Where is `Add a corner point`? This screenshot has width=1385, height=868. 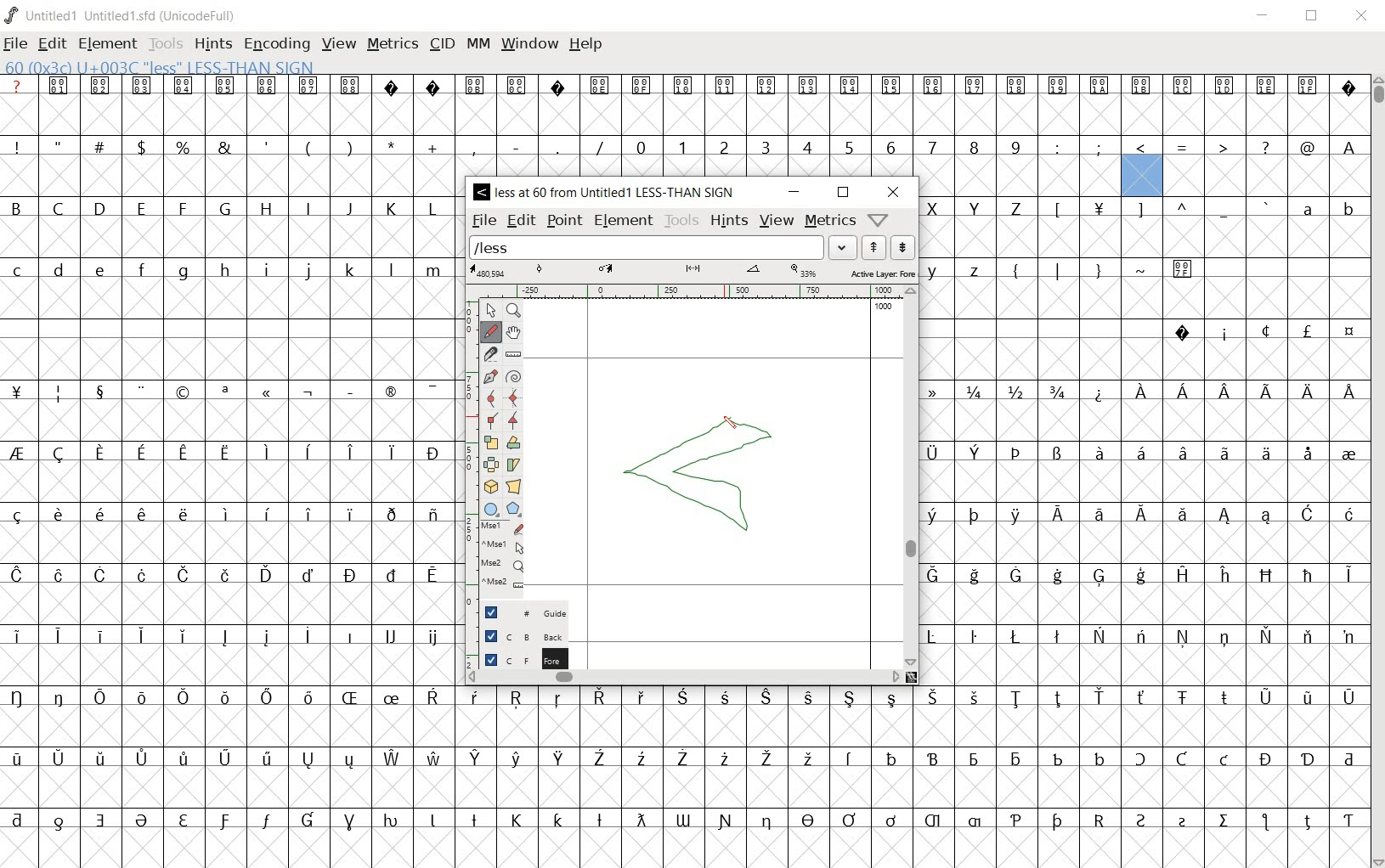 Add a corner point is located at coordinates (492, 420).